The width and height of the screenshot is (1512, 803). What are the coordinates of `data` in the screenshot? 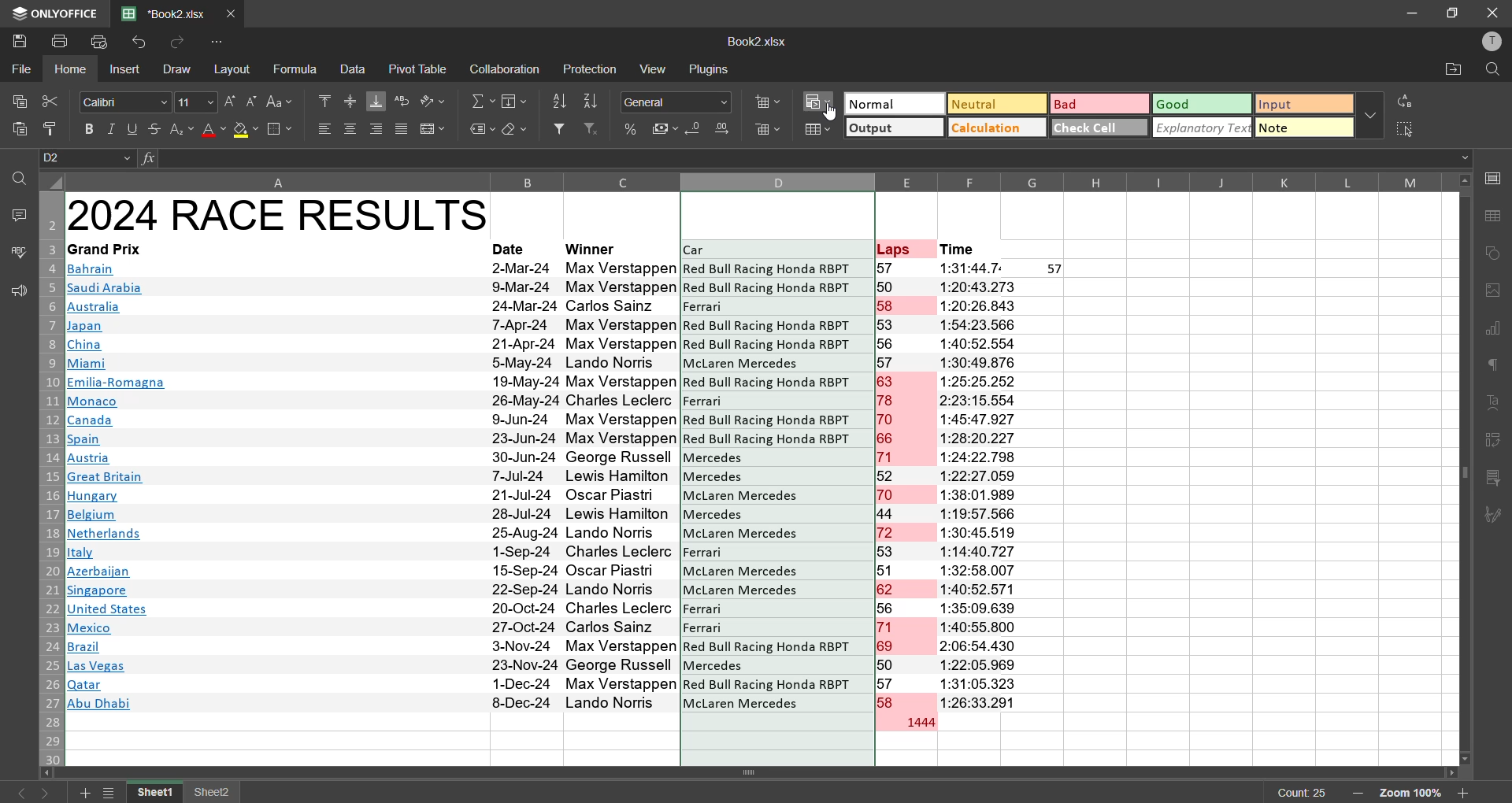 It's located at (353, 68).